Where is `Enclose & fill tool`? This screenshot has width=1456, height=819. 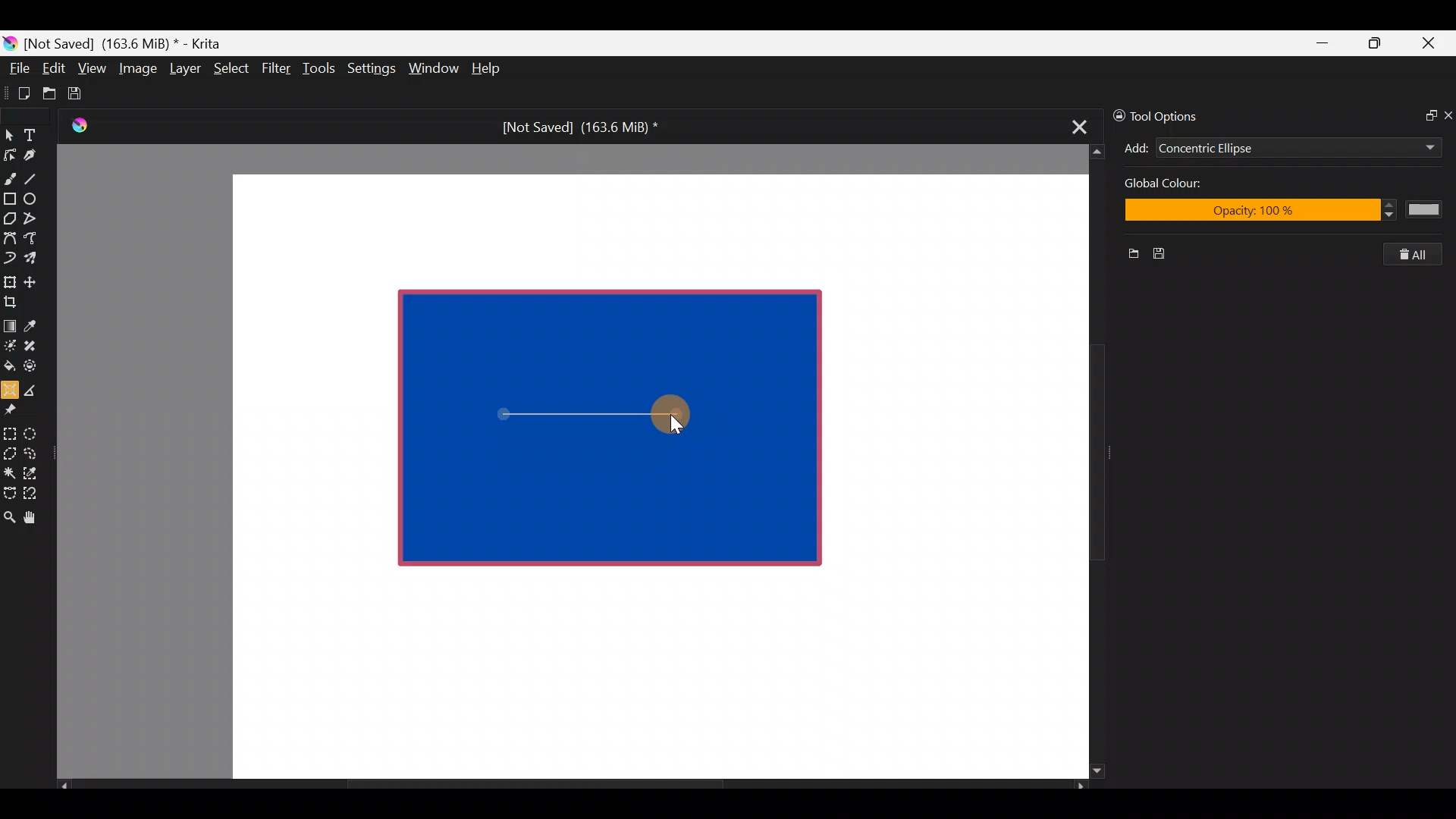
Enclose & fill tool is located at coordinates (33, 363).